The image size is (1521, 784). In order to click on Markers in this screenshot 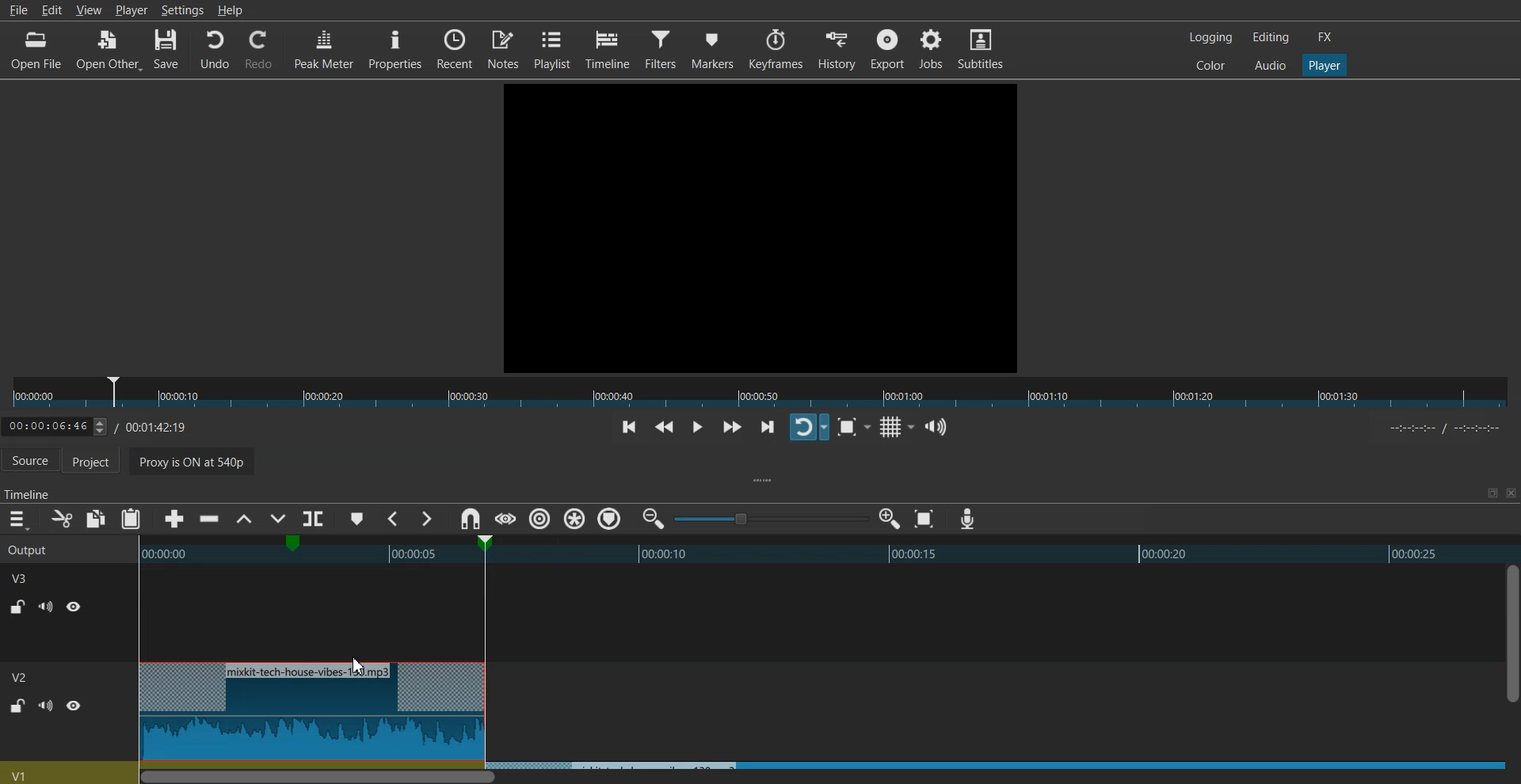, I will do `click(713, 48)`.